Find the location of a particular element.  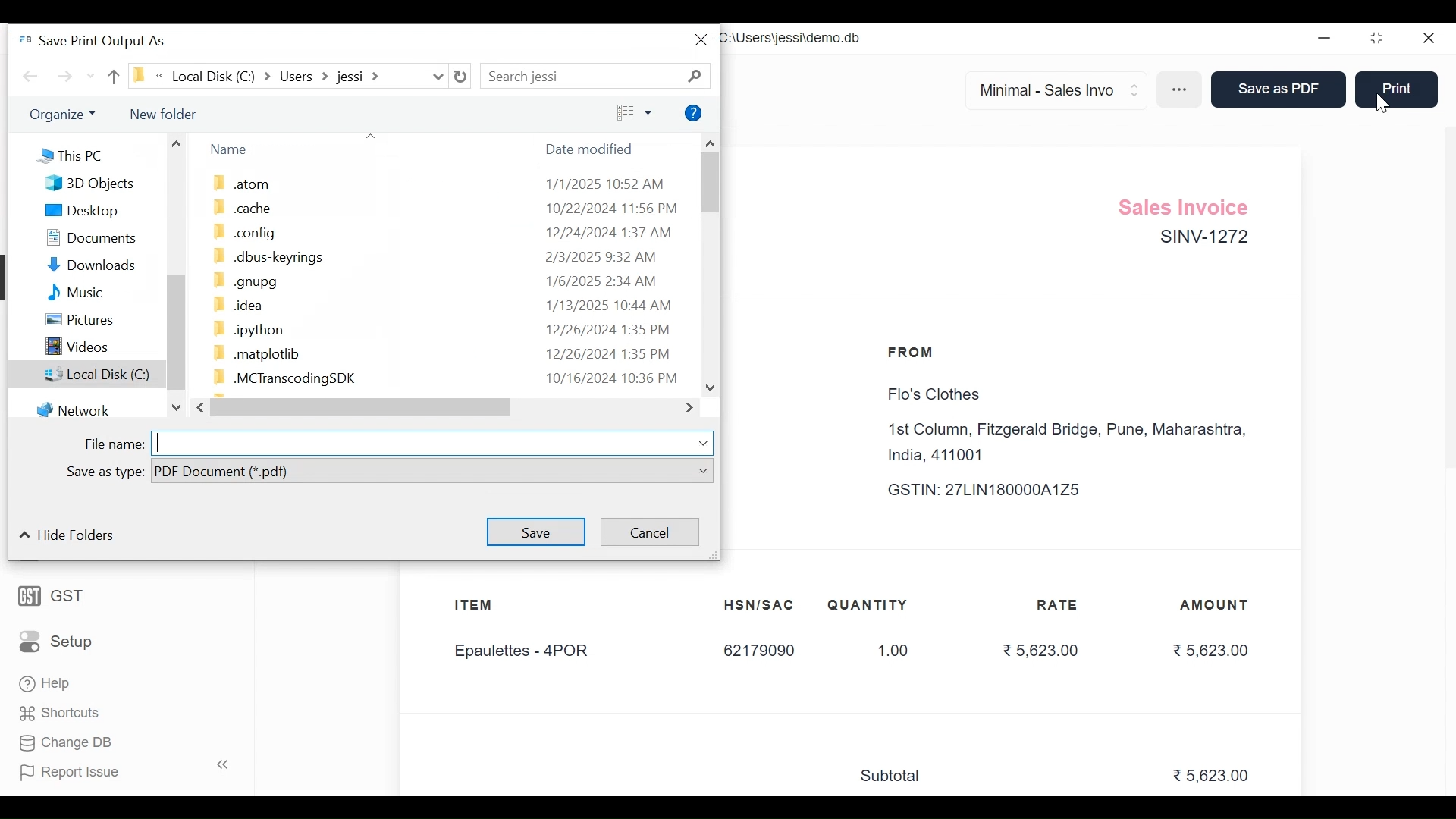

HSN/SAC is located at coordinates (760, 605).